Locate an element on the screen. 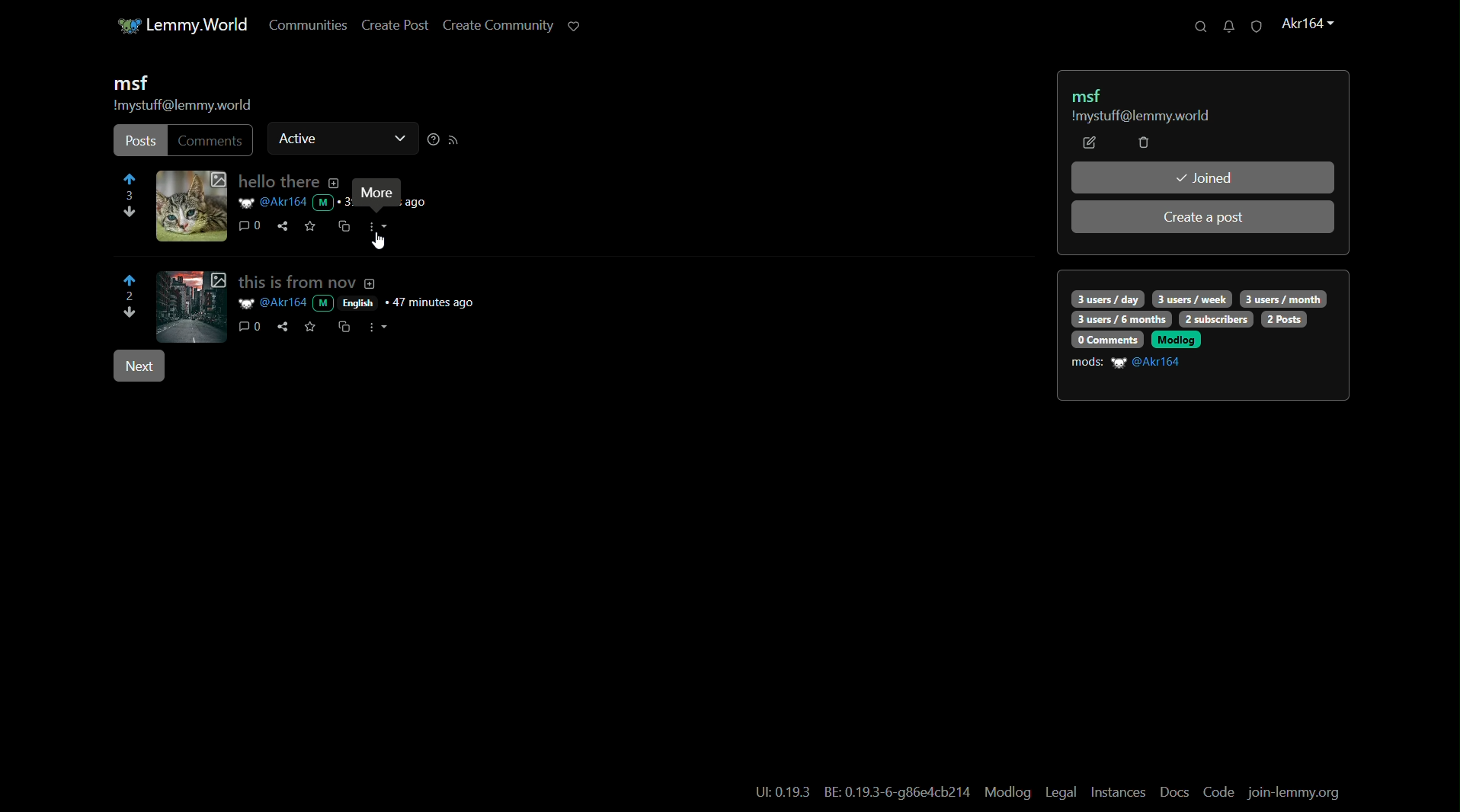 Image resolution: width=1460 pixels, height=812 pixels. number of votes is located at coordinates (128, 297).